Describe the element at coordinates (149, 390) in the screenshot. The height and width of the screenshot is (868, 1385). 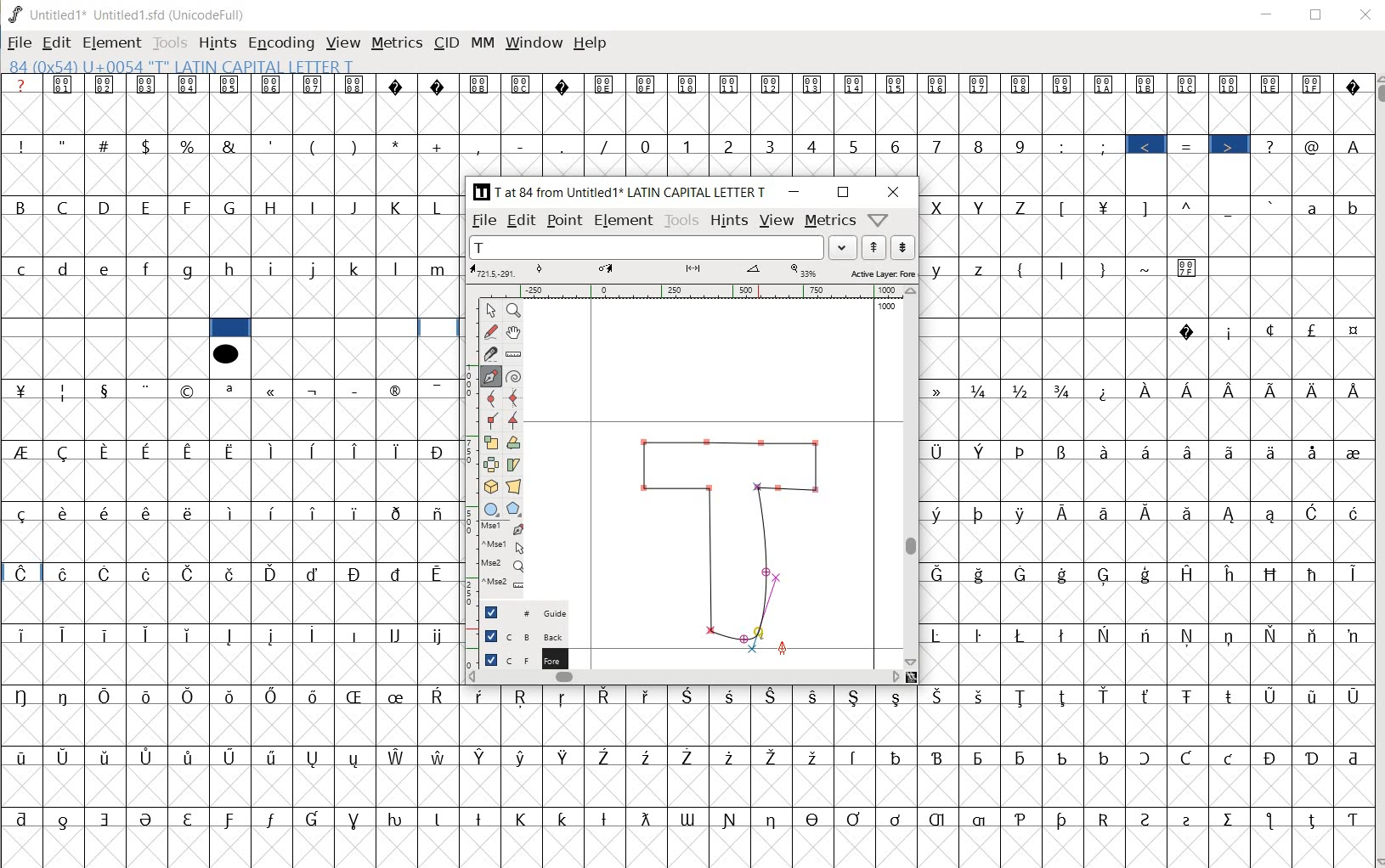
I see `Symbol` at that location.